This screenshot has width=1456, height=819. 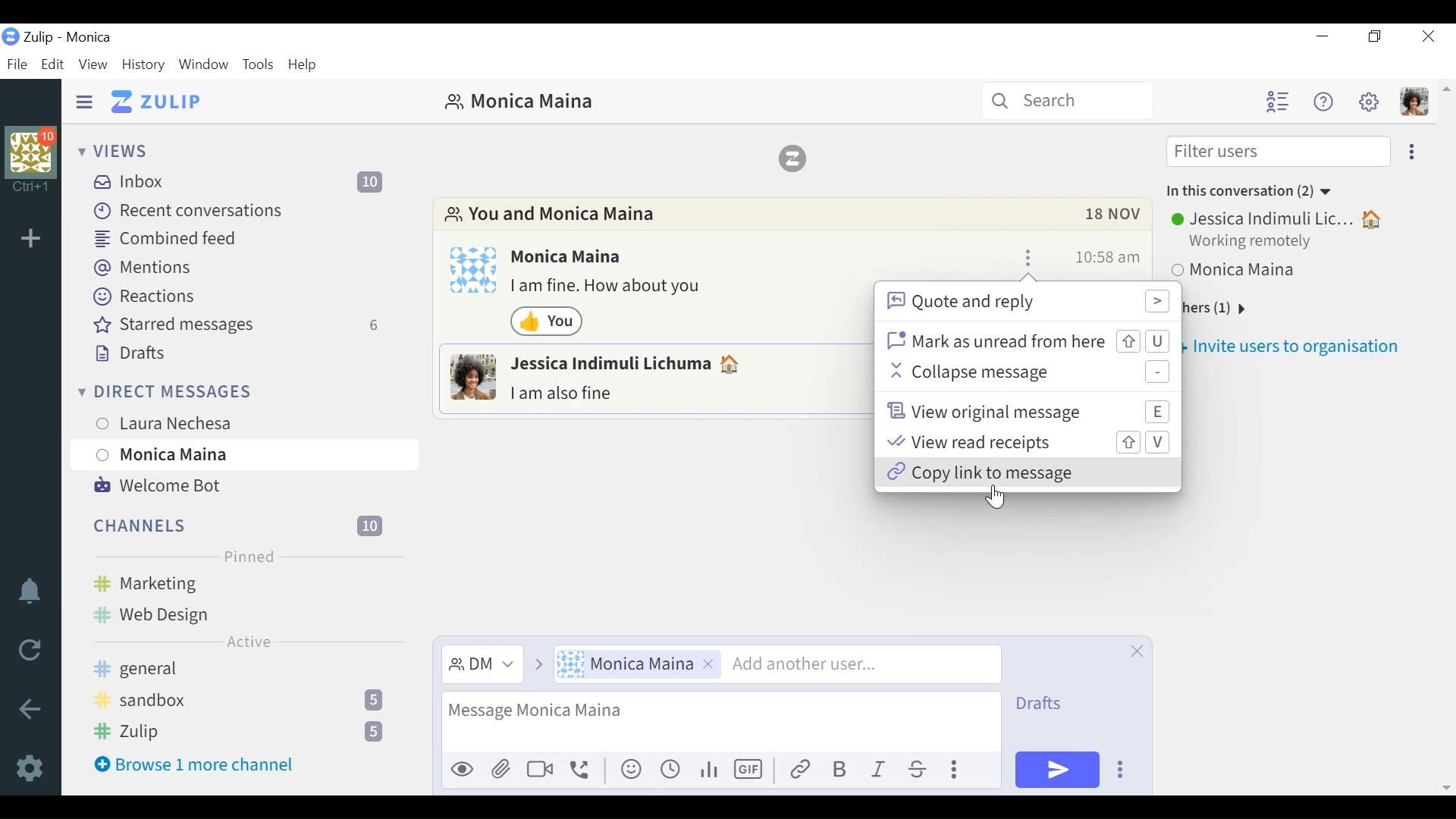 What do you see at coordinates (31, 187) in the screenshot?
I see `Ctrl+1 shortcut` at bounding box center [31, 187].